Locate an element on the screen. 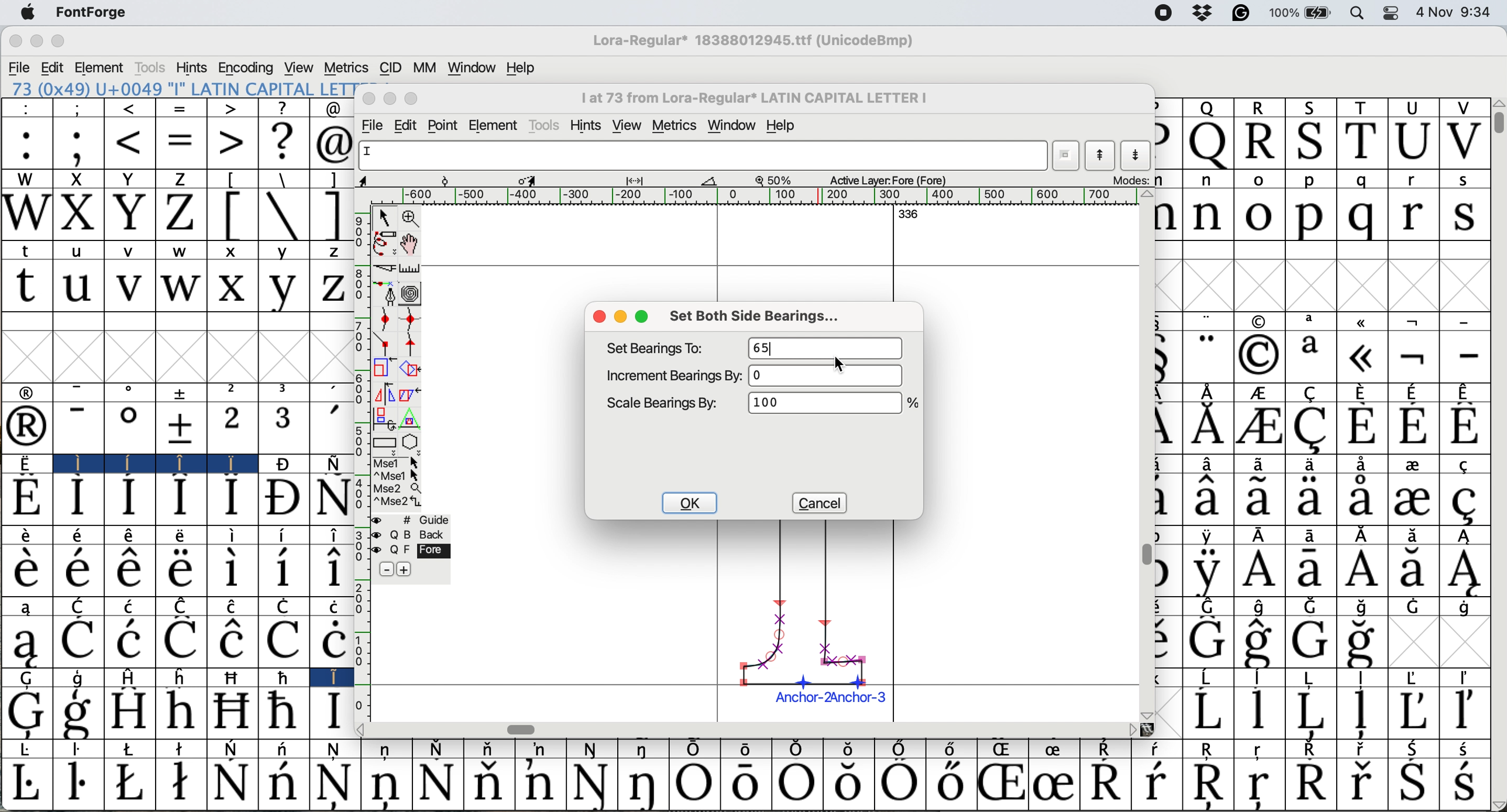  < is located at coordinates (131, 109).